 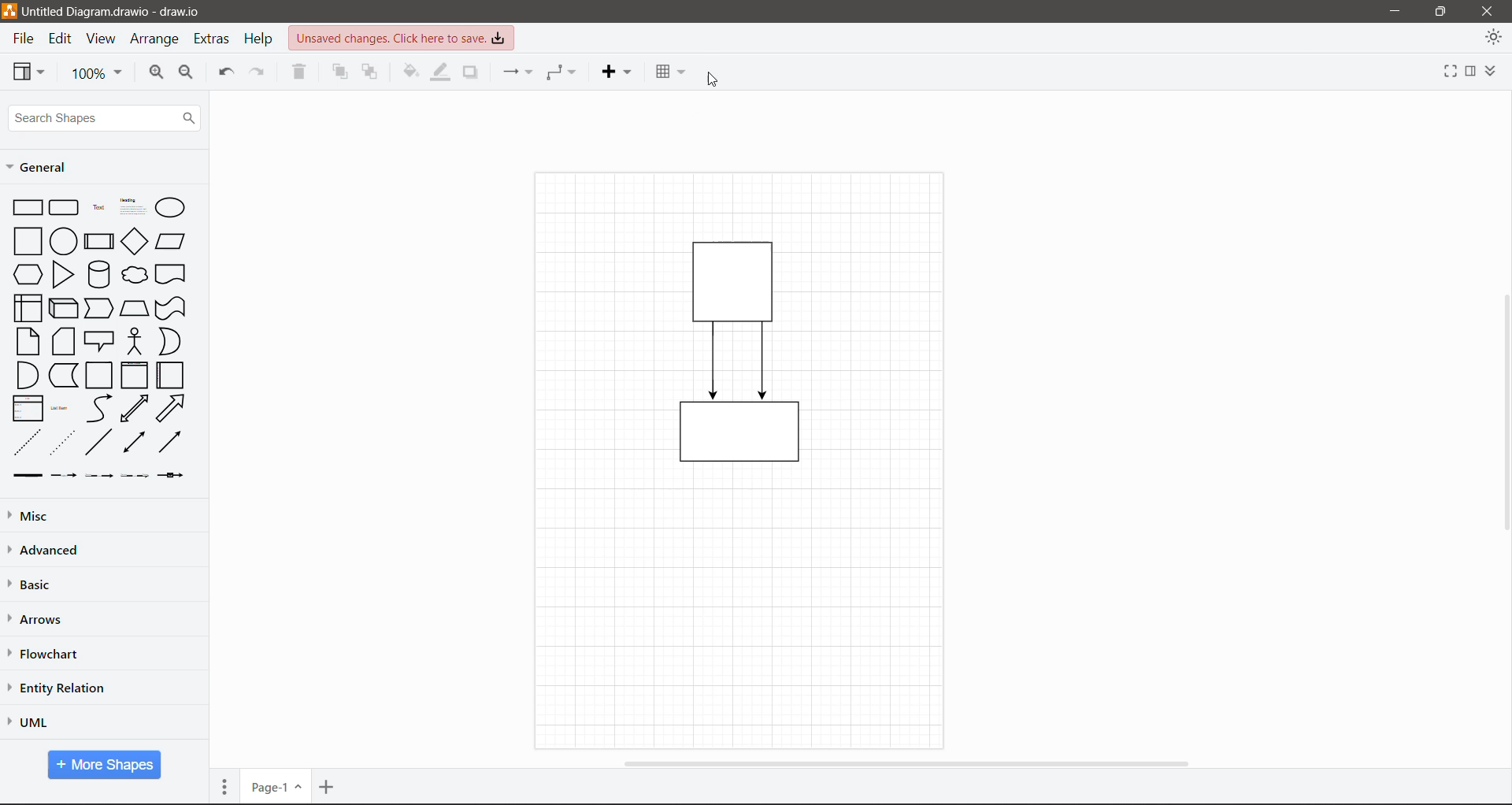 What do you see at coordinates (301, 74) in the screenshot?
I see `Delete` at bounding box center [301, 74].